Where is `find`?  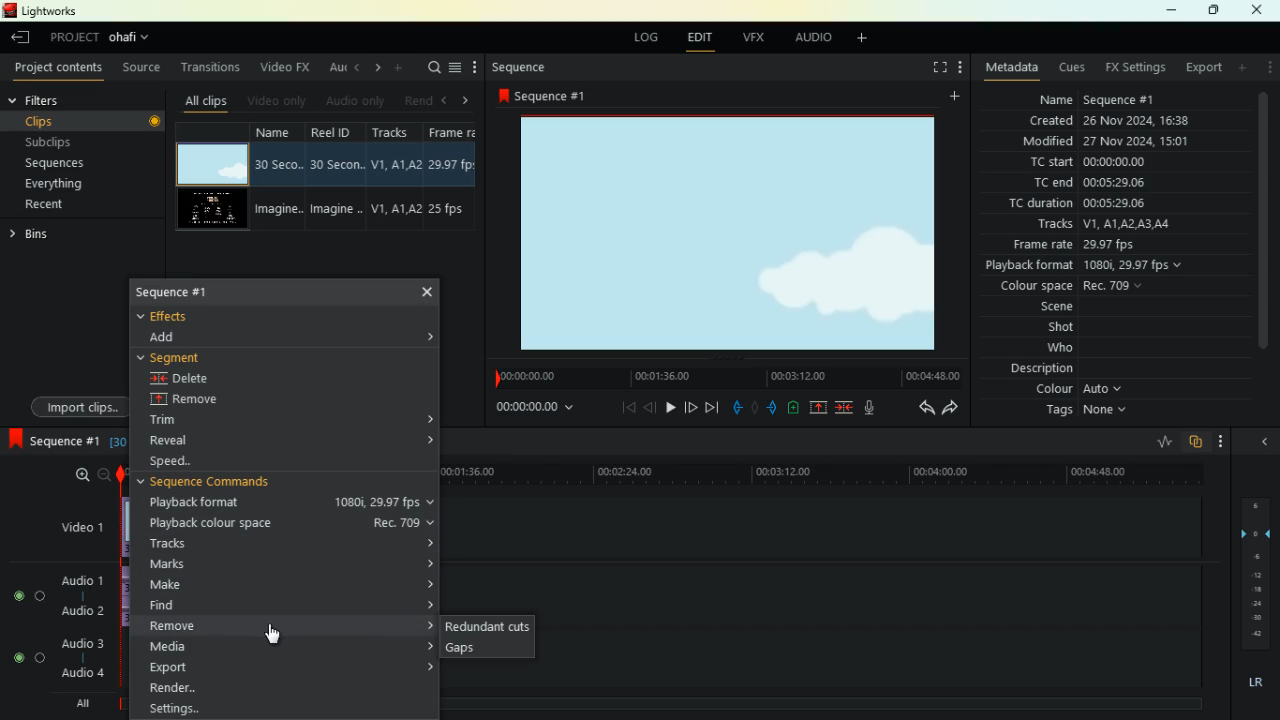
find is located at coordinates (288, 604).